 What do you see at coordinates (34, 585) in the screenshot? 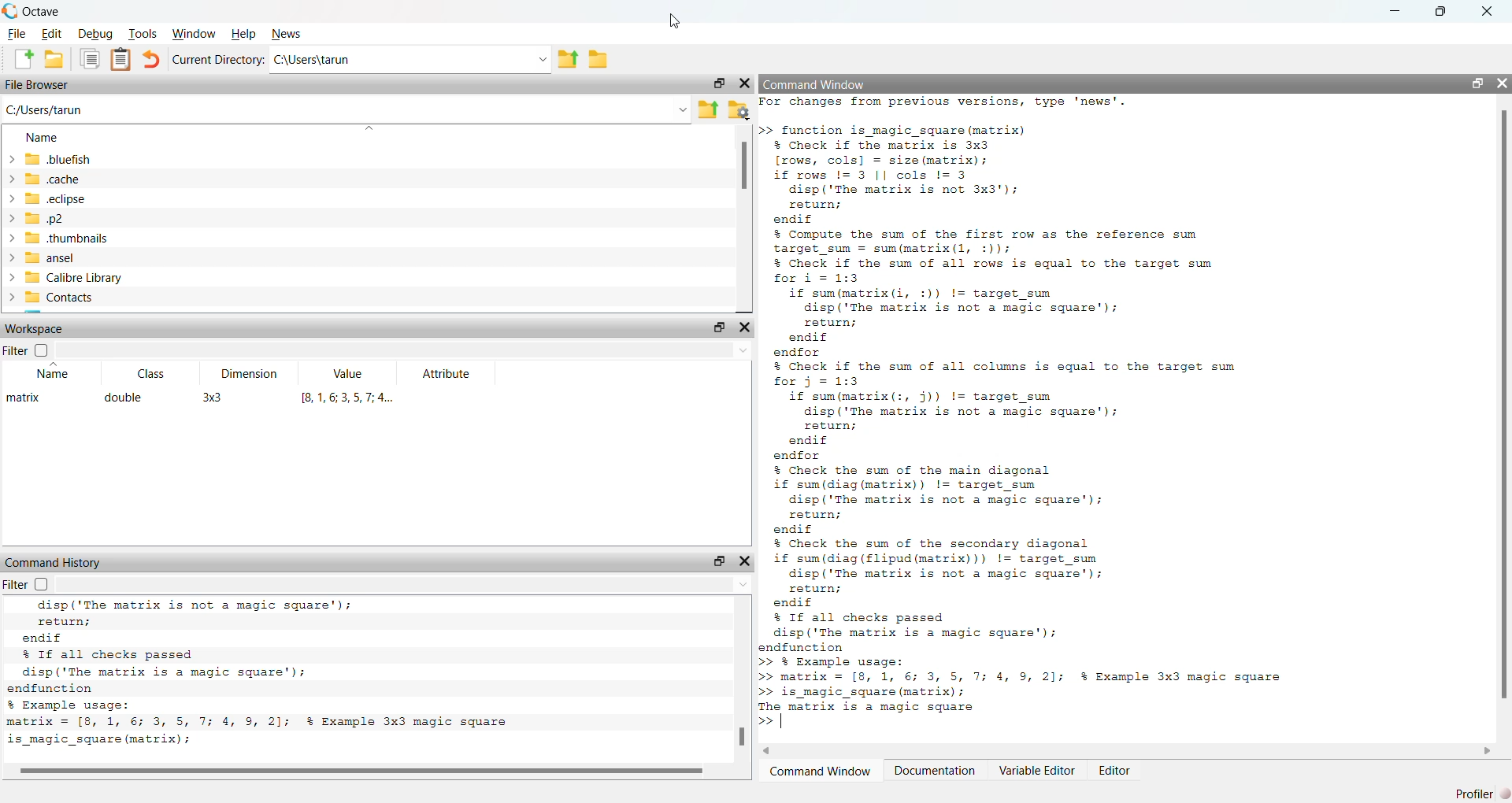
I see `Filter` at bounding box center [34, 585].